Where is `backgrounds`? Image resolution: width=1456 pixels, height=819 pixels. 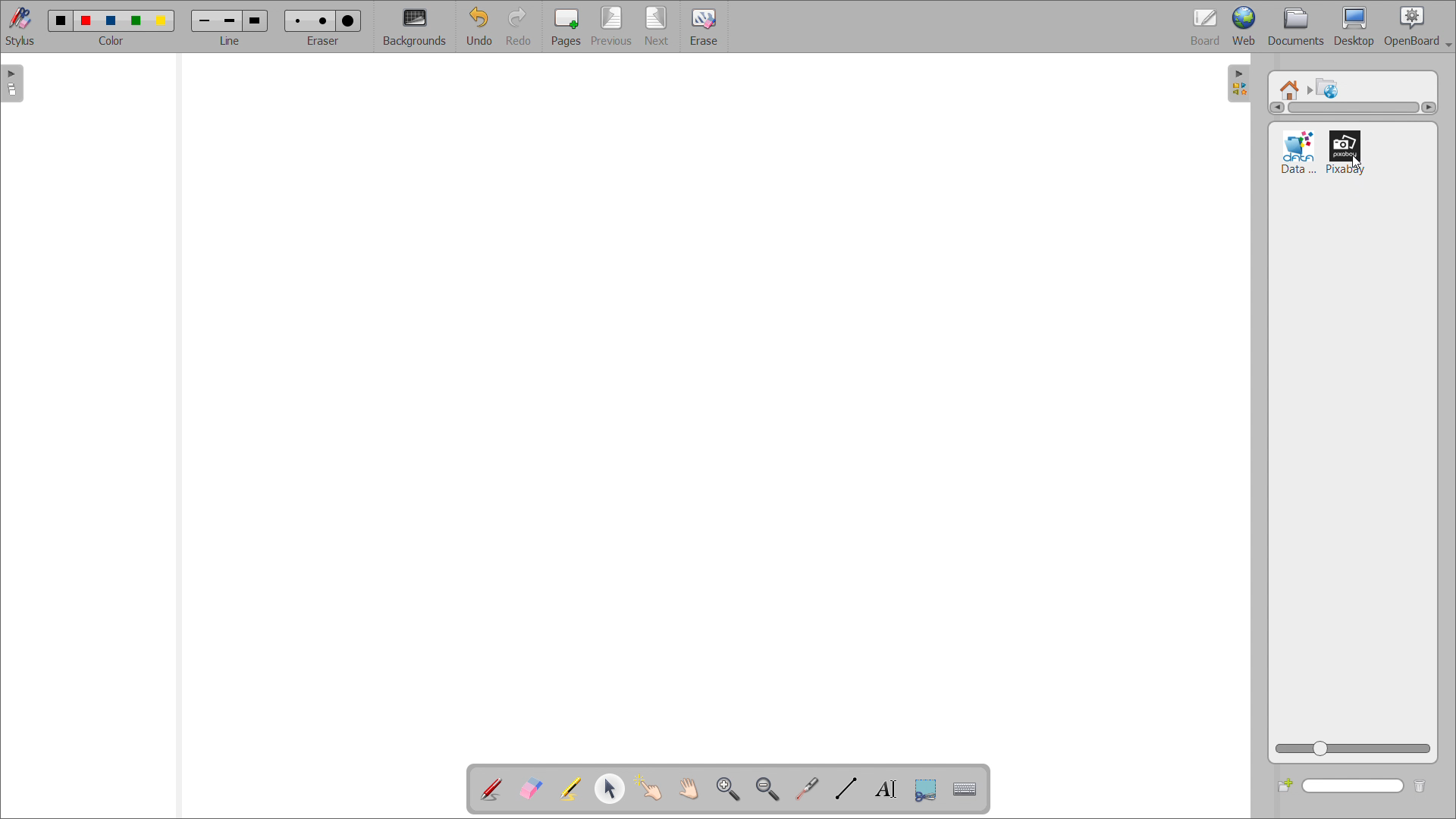 backgrounds is located at coordinates (416, 27).